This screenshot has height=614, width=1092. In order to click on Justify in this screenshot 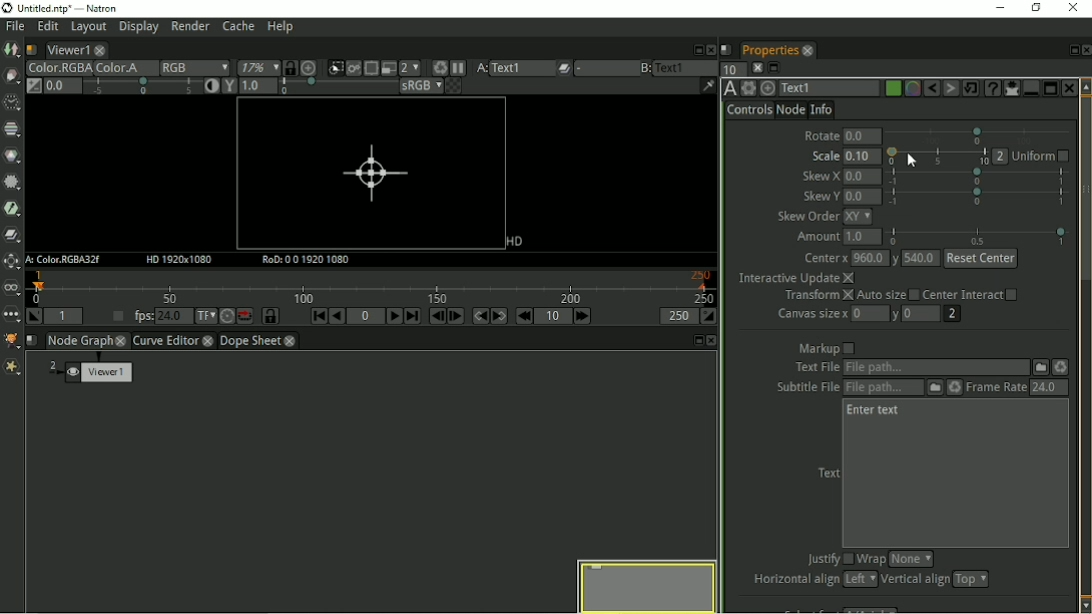, I will do `click(827, 558)`.